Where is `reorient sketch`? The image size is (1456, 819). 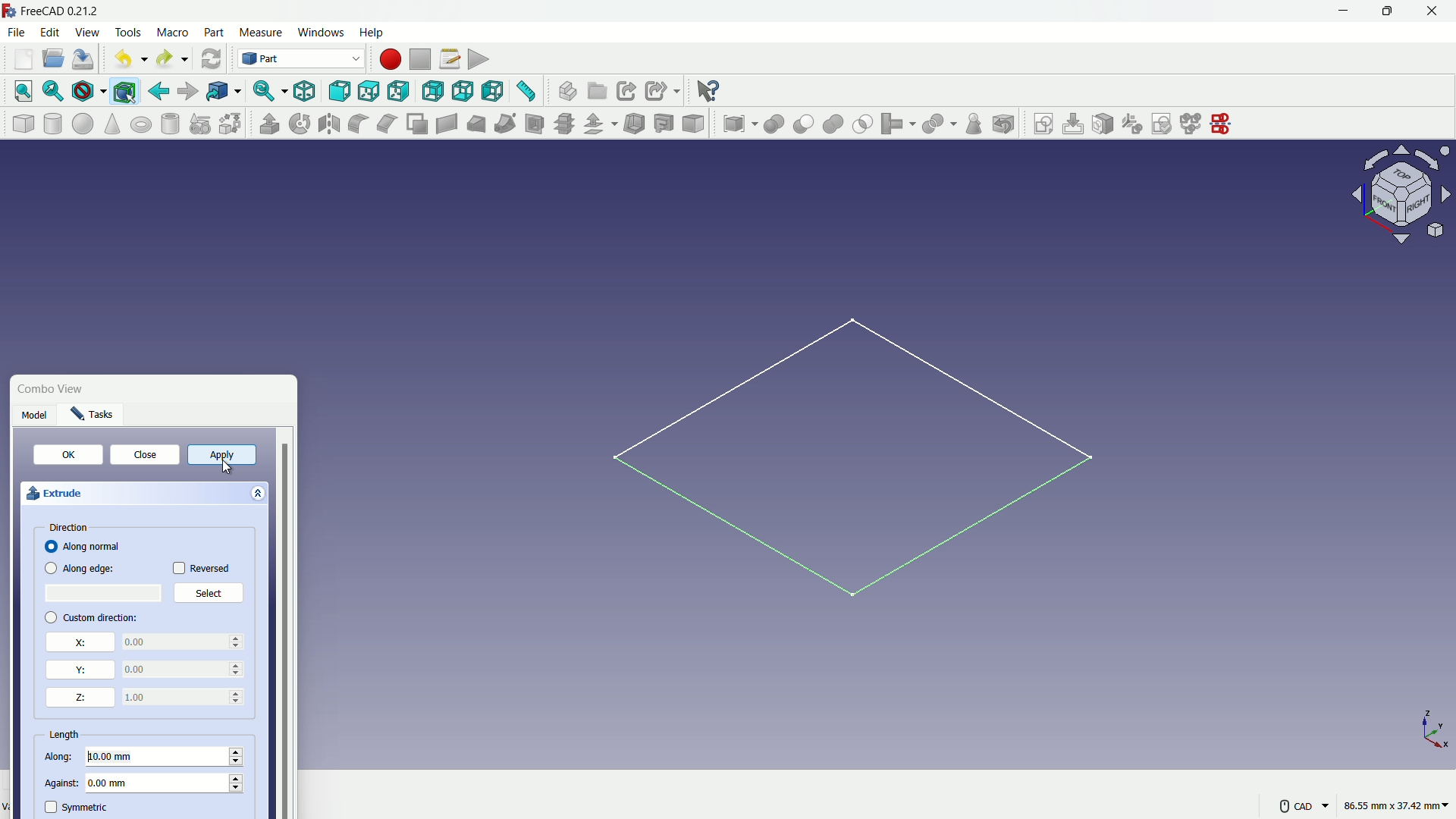 reorient sketch is located at coordinates (1131, 123).